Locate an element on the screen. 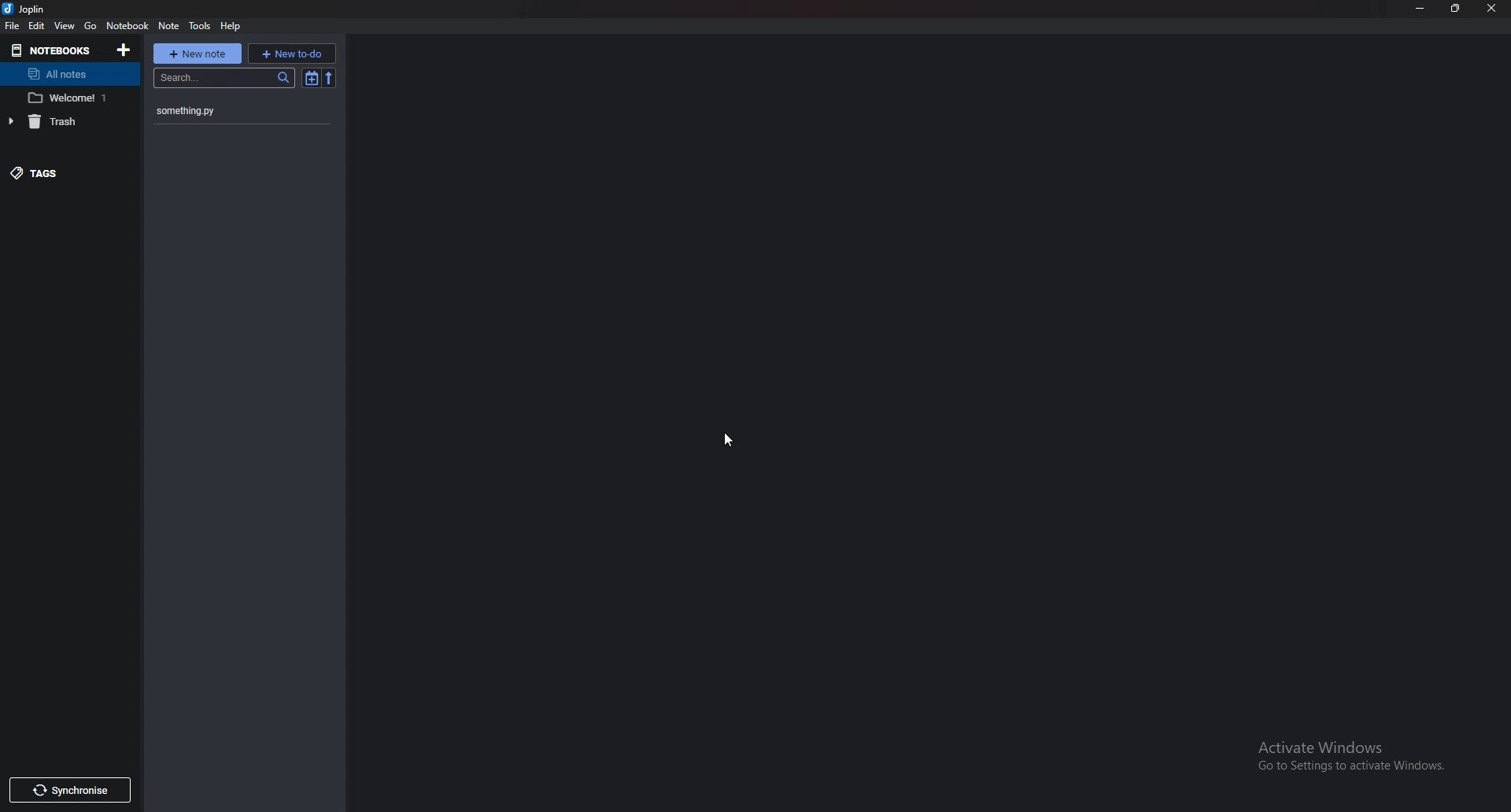 This screenshot has height=812, width=1511. All notes is located at coordinates (68, 76).